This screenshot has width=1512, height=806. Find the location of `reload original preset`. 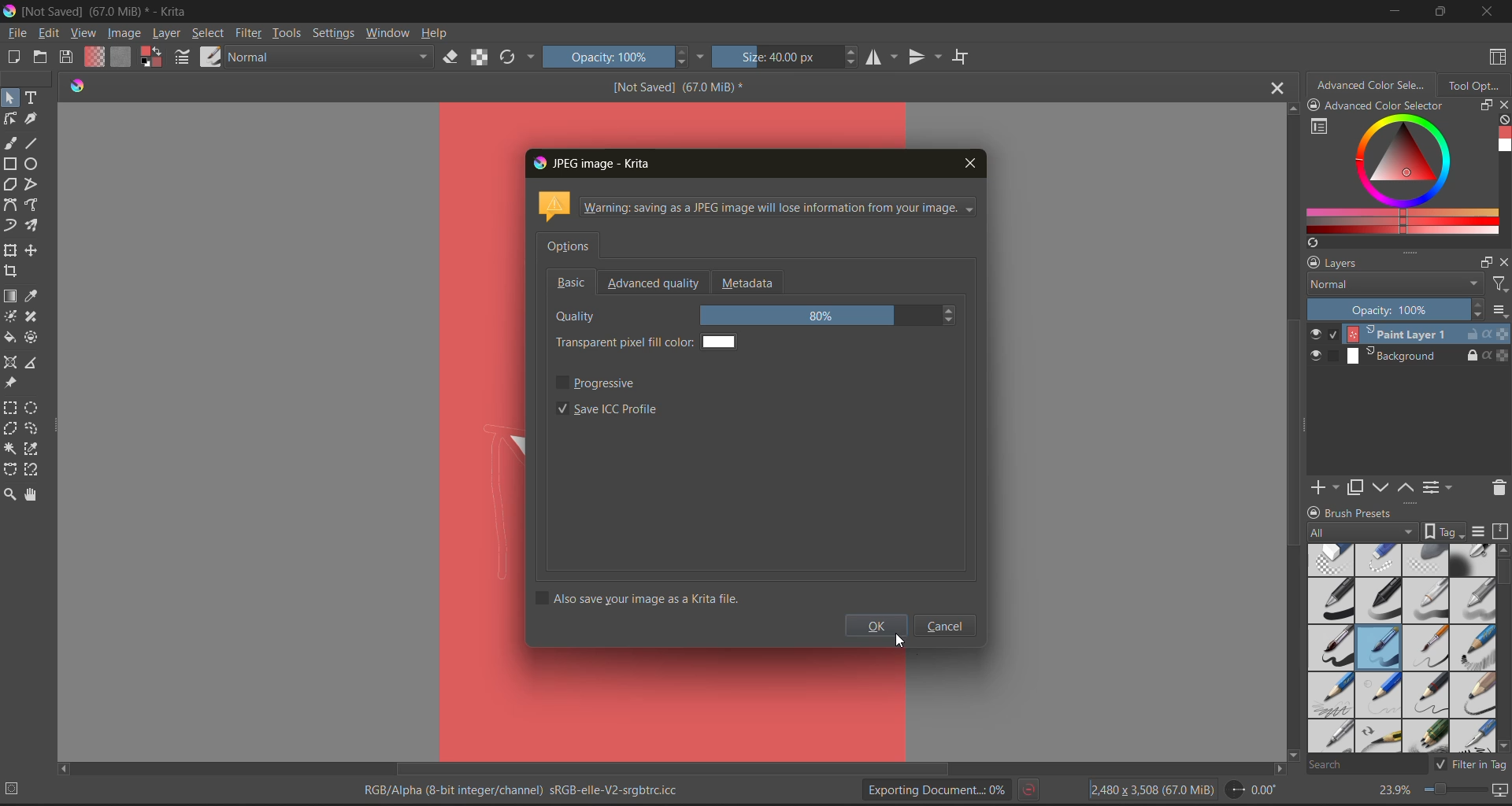

reload original preset is located at coordinates (511, 55).